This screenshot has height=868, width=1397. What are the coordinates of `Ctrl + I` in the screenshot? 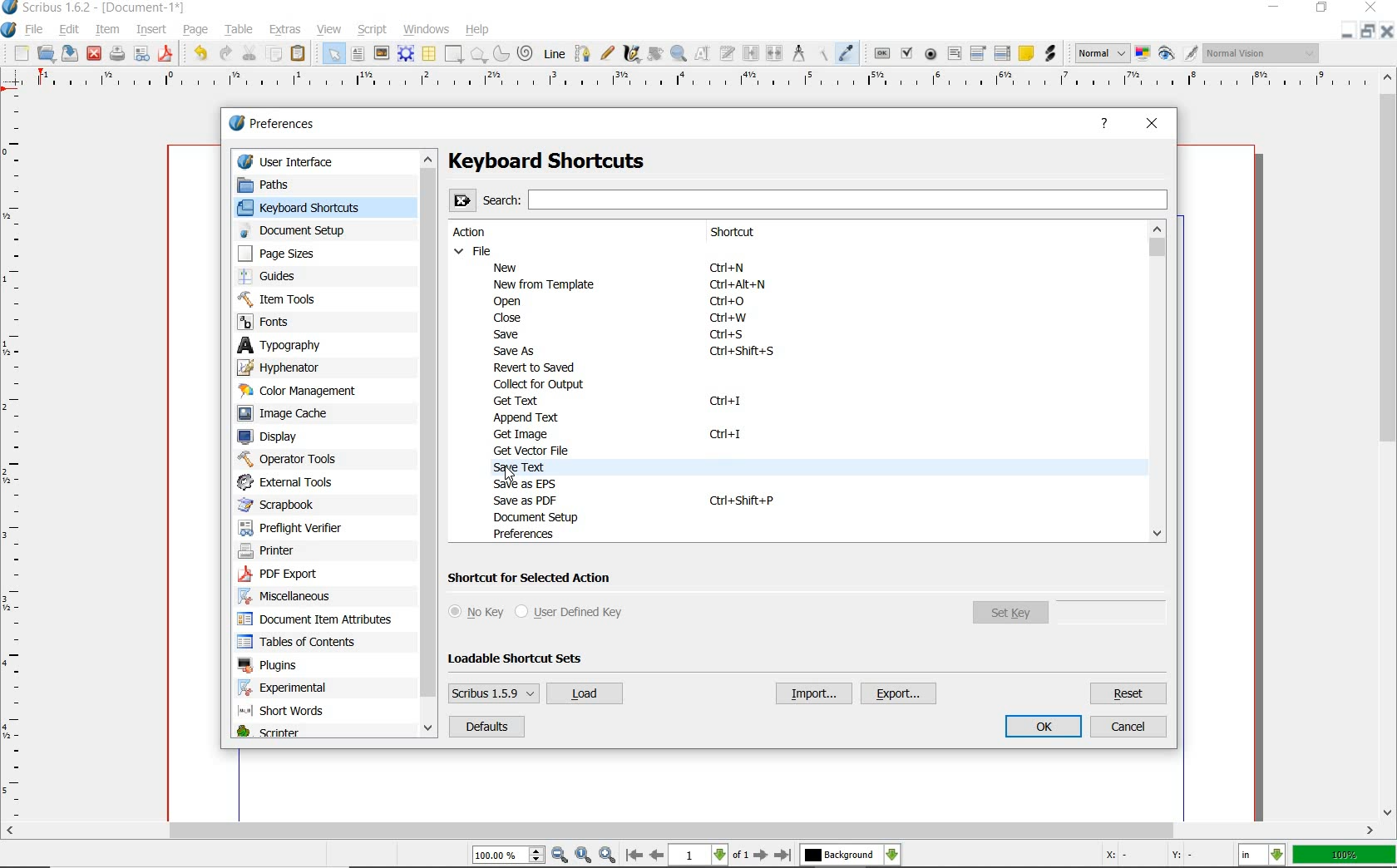 It's located at (725, 402).